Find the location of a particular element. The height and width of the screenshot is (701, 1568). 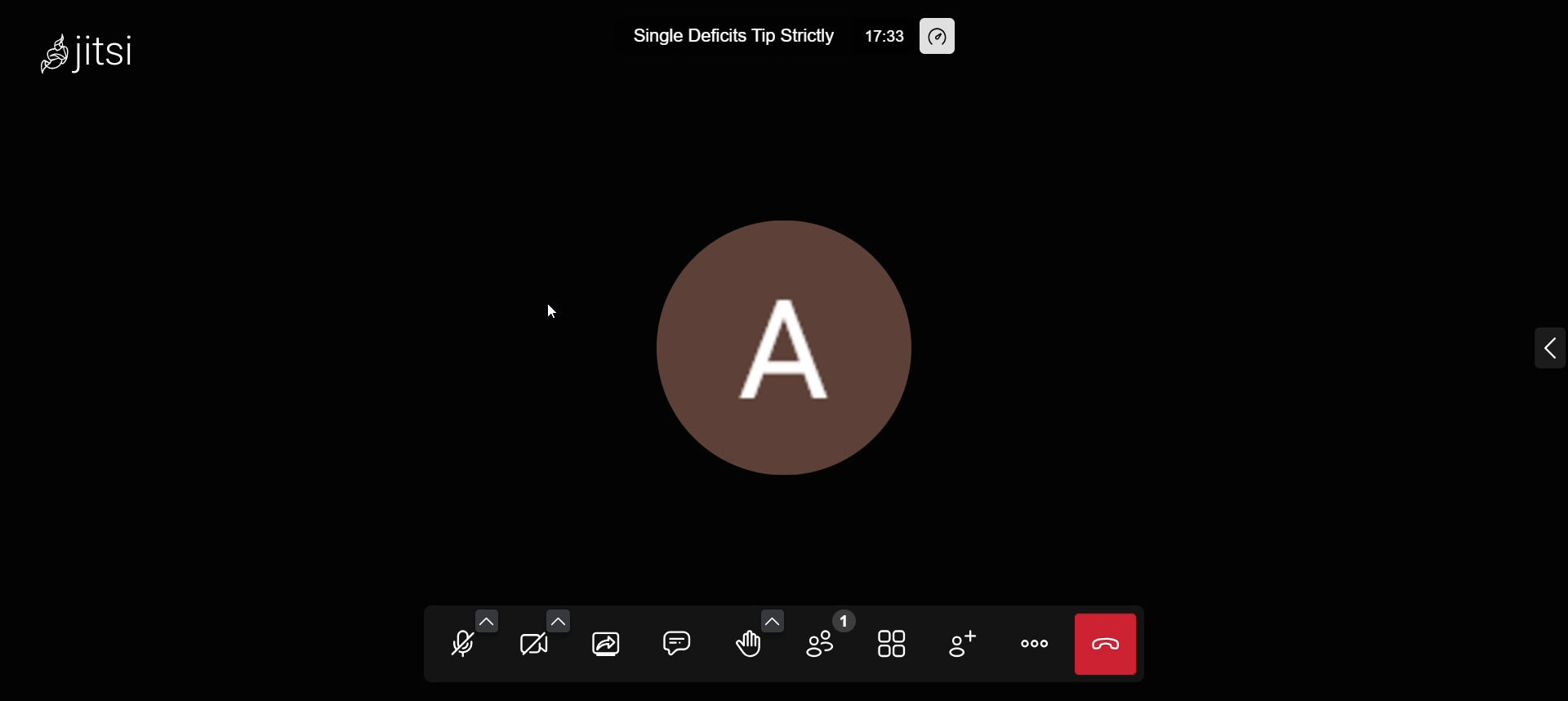

Single Deficits Tip Strictly is located at coordinates (715, 38).